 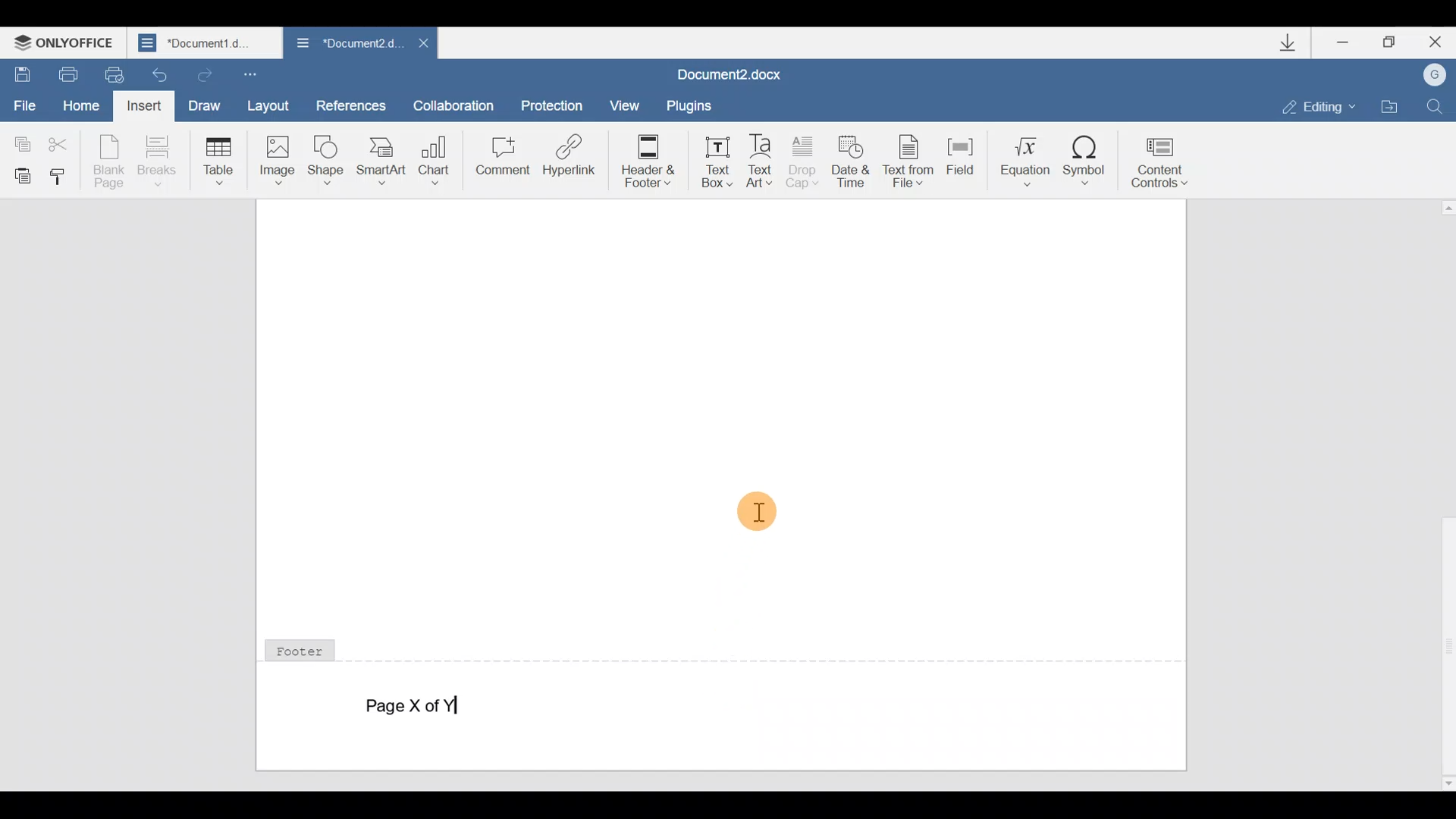 What do you see at coordinates (161, 74) in the screenshot?
I see `Undo` at bounding box center [161, 74].